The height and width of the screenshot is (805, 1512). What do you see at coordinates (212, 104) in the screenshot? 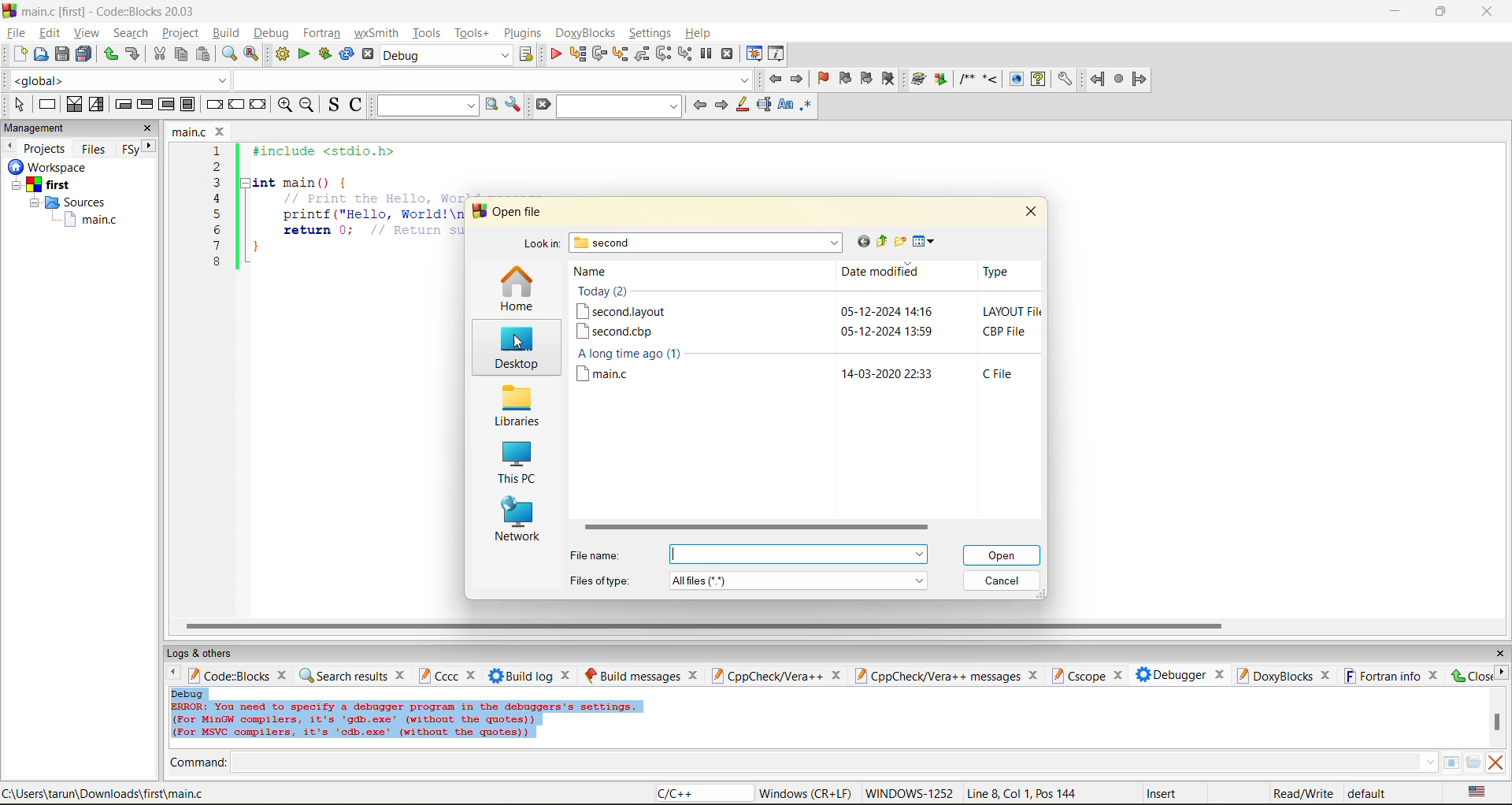
I see `break instruction` at bounding box center [212, 104].